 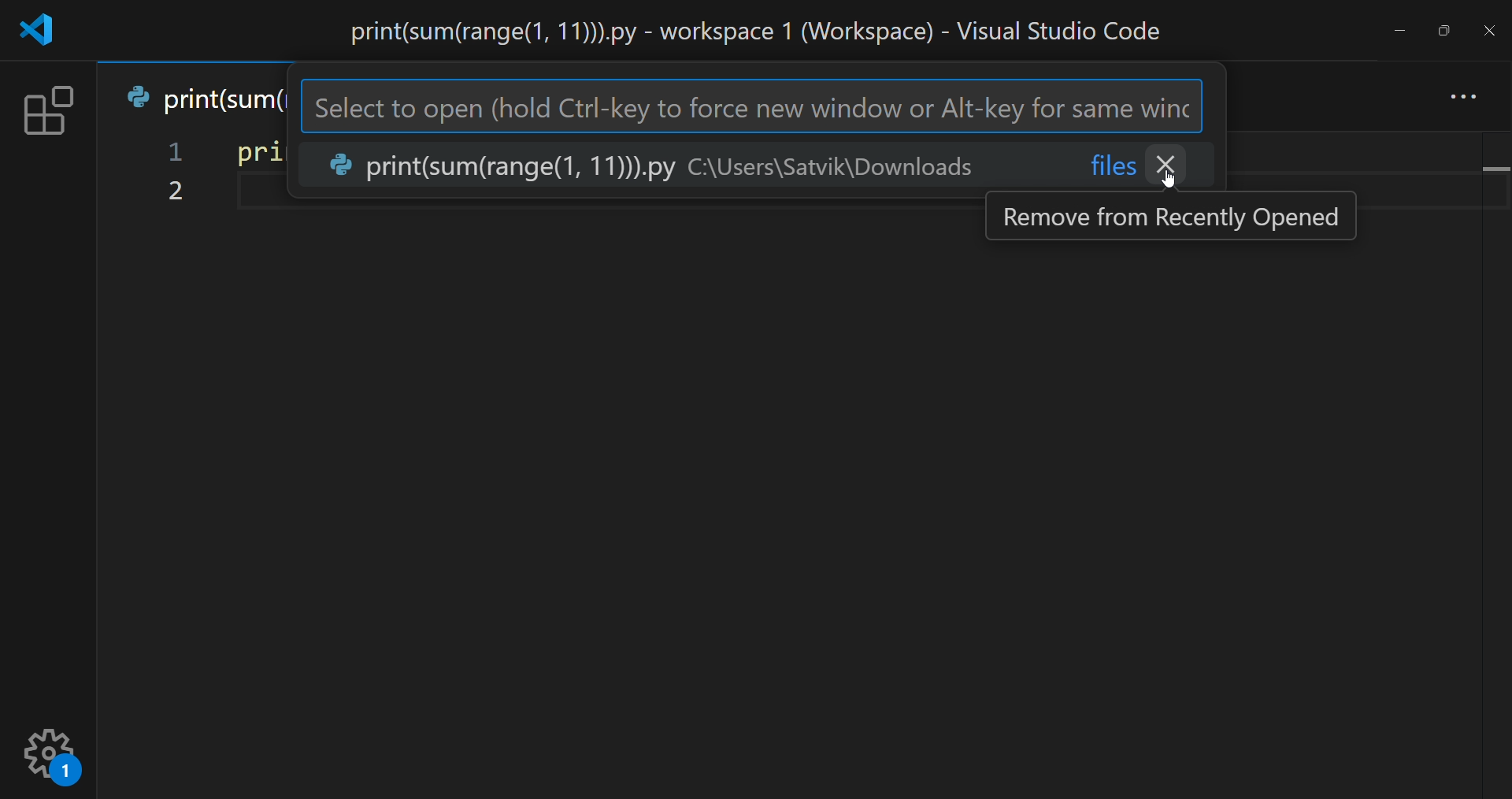 I want to click on minimize, so click(x=1397, y=29).